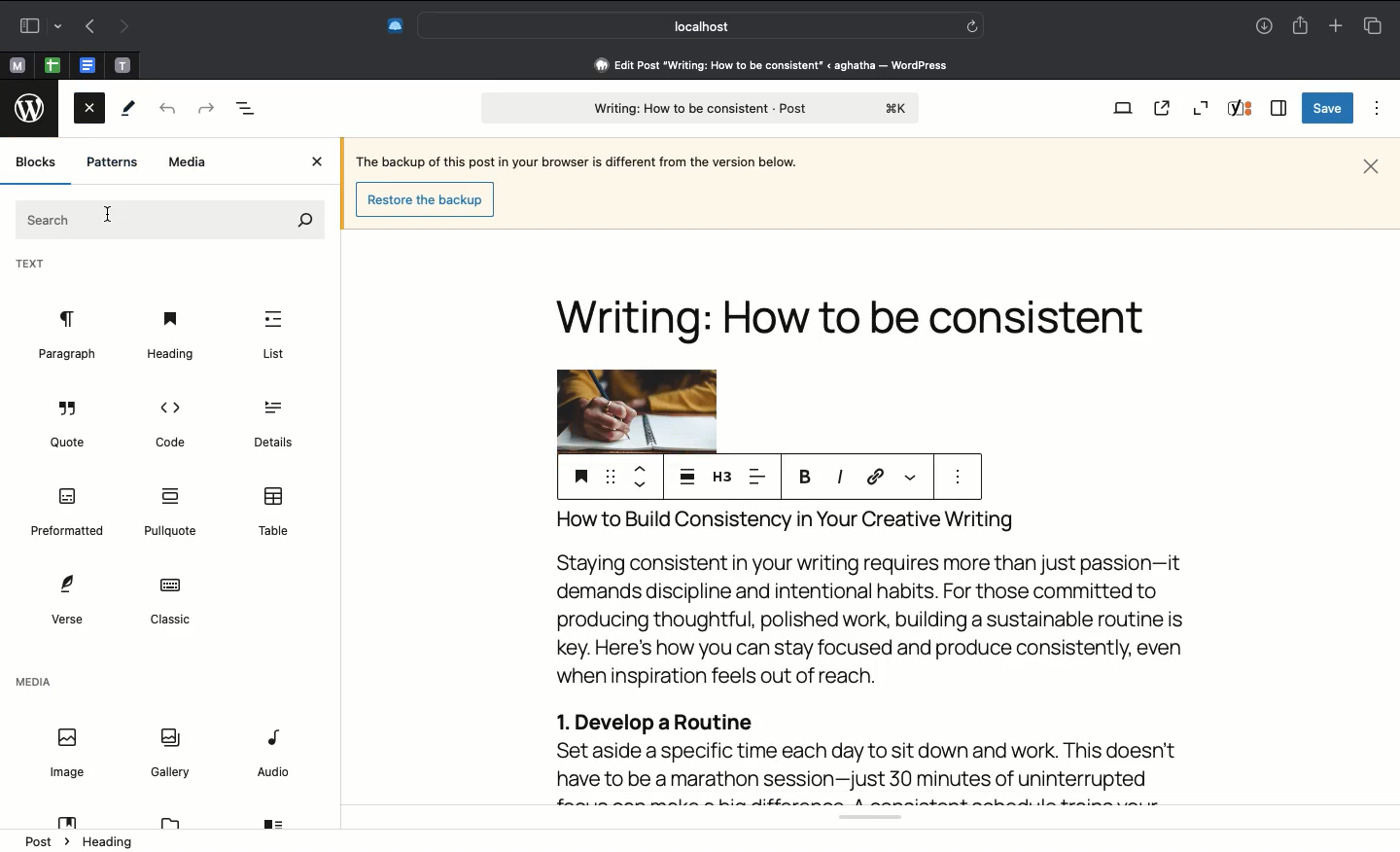  What do you see at coordinates (575, 160) in the screenshot?
I see `Sentence about backup ` at bounding box center [575, 160].